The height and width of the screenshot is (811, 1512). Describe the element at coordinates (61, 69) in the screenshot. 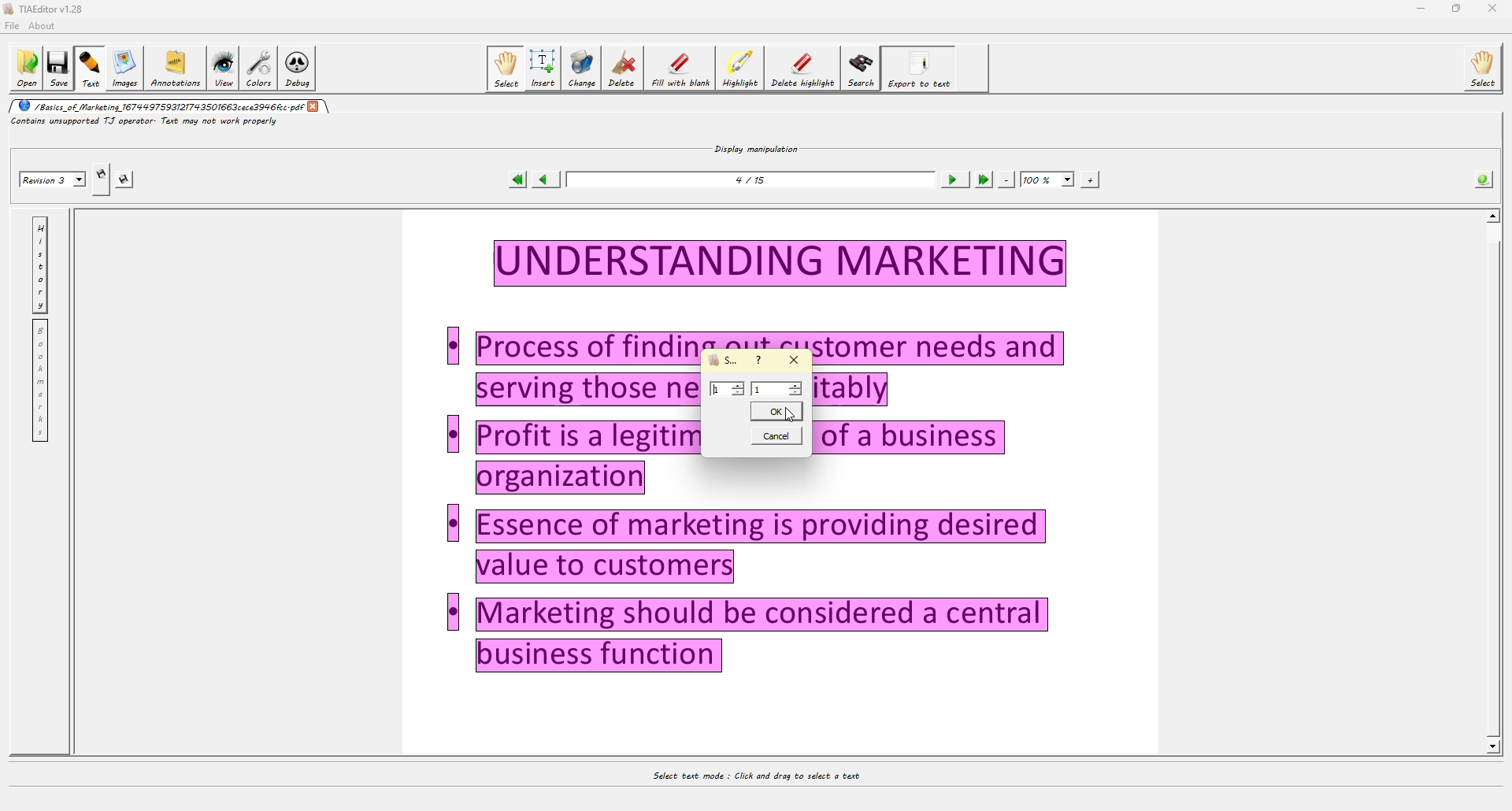

I see `save` at that location.